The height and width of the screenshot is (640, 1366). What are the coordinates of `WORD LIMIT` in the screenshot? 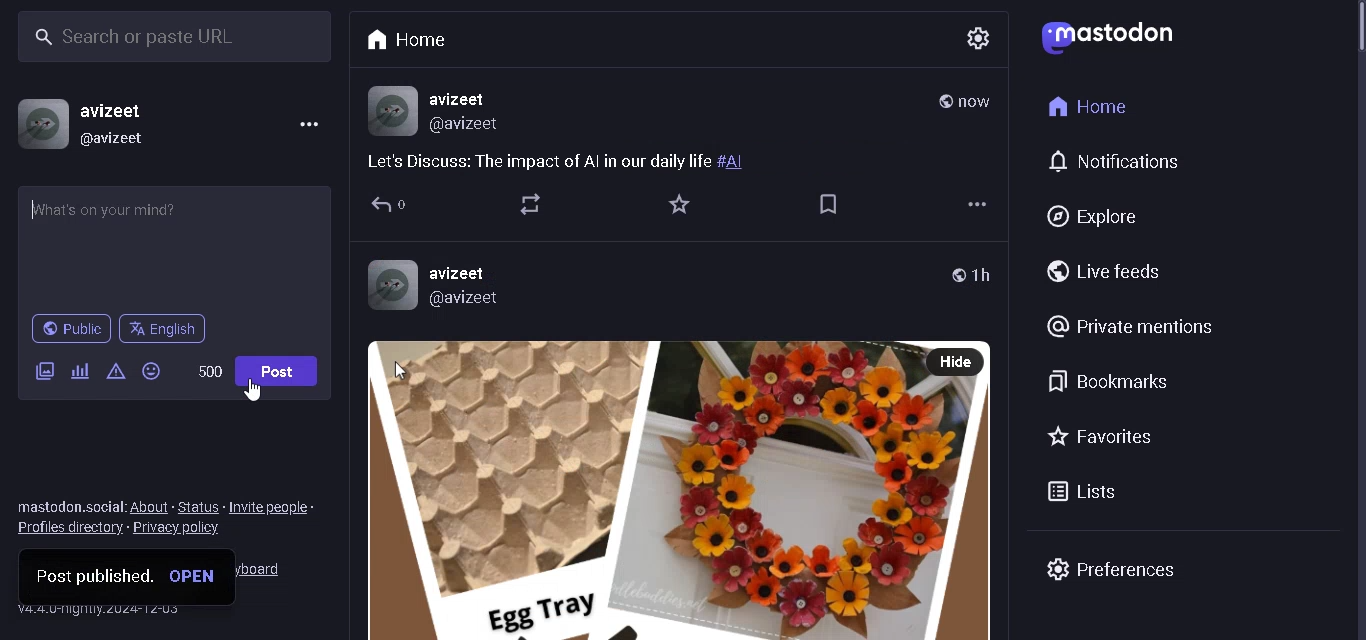 It's located at (211, 372).